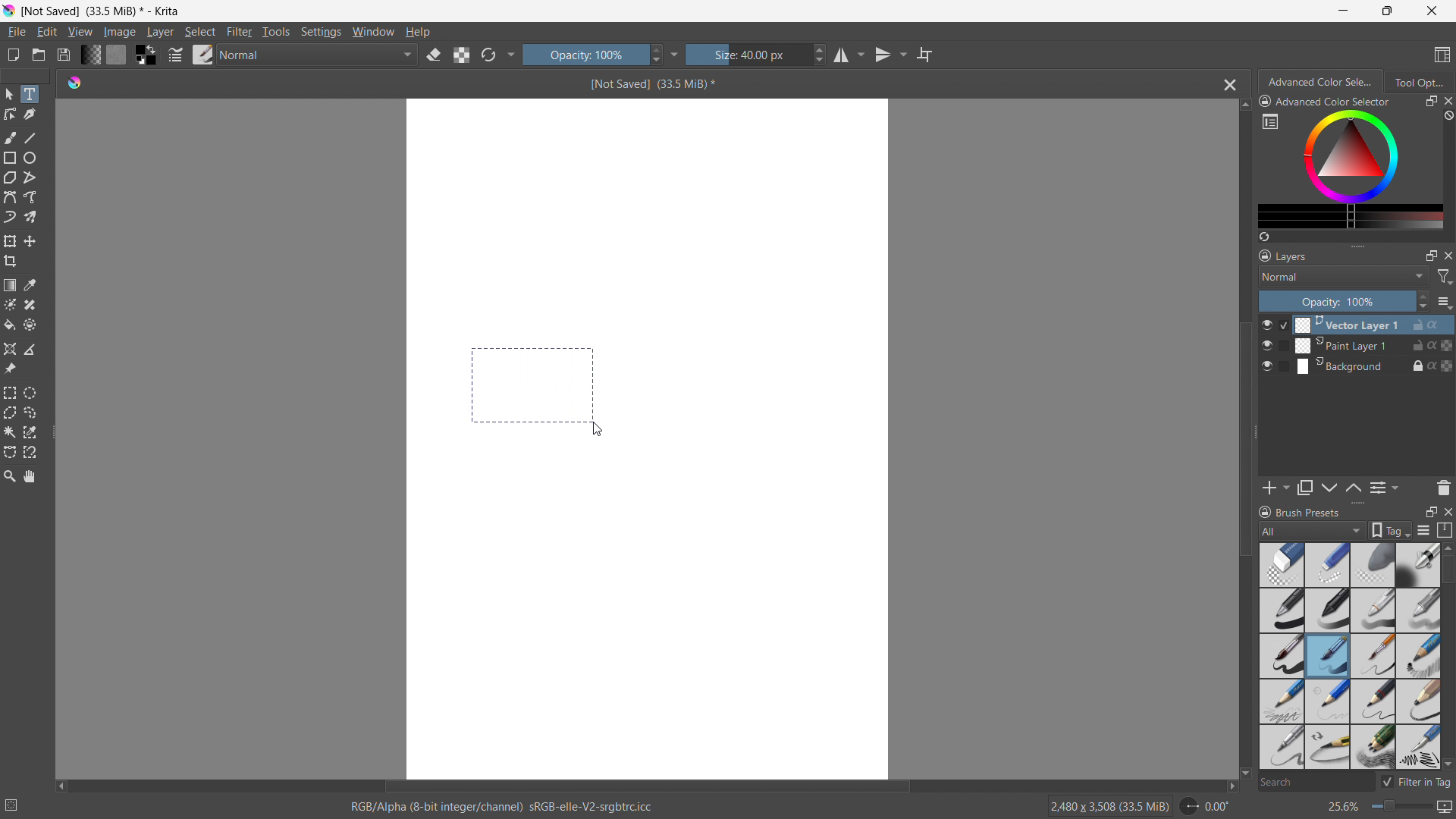 This screenshot has height=819, width=1456. I want to click on clear all color history, so click(1447, 116).